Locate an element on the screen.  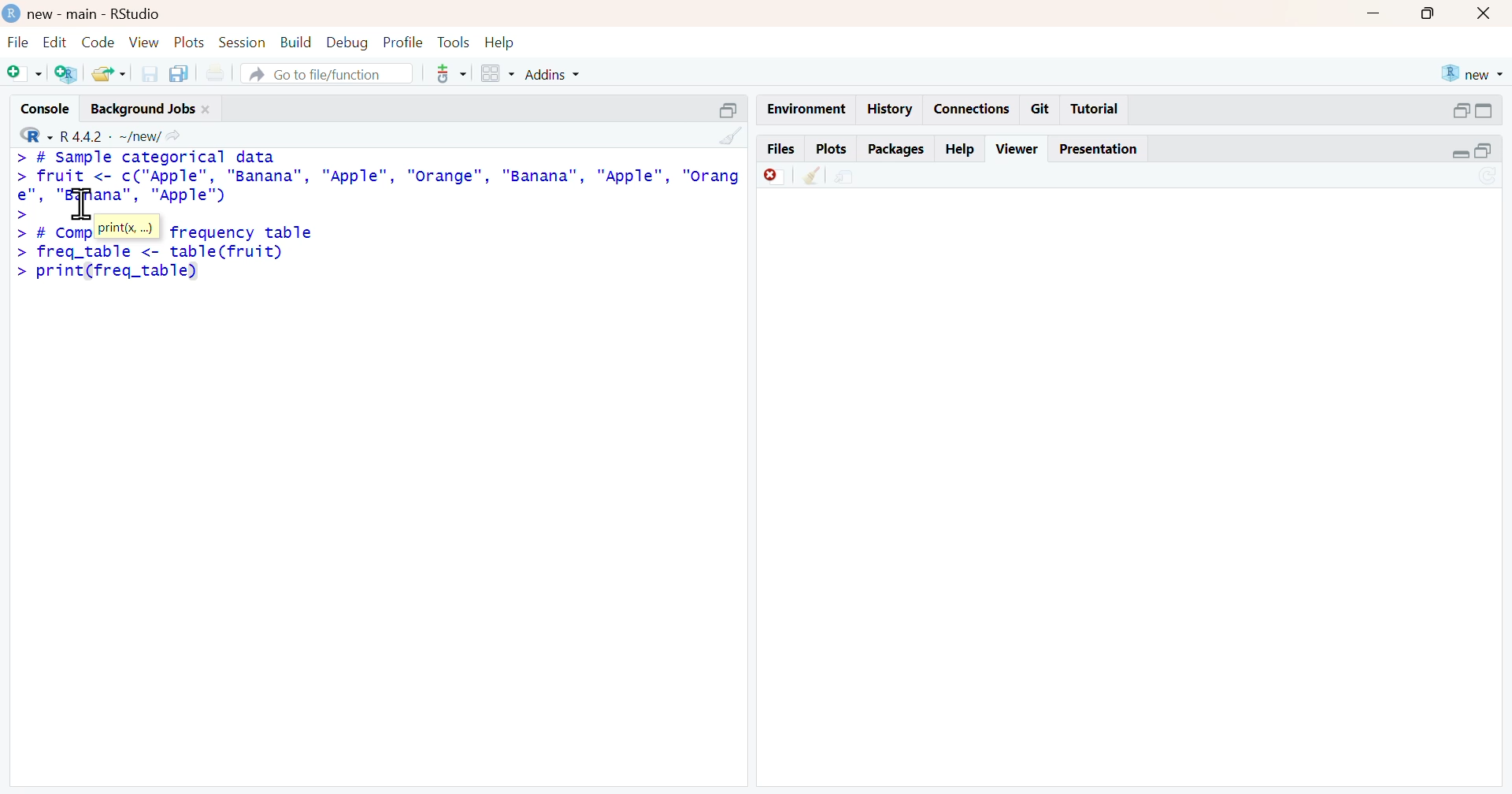
viewer is located at coordinates (1018, 150).